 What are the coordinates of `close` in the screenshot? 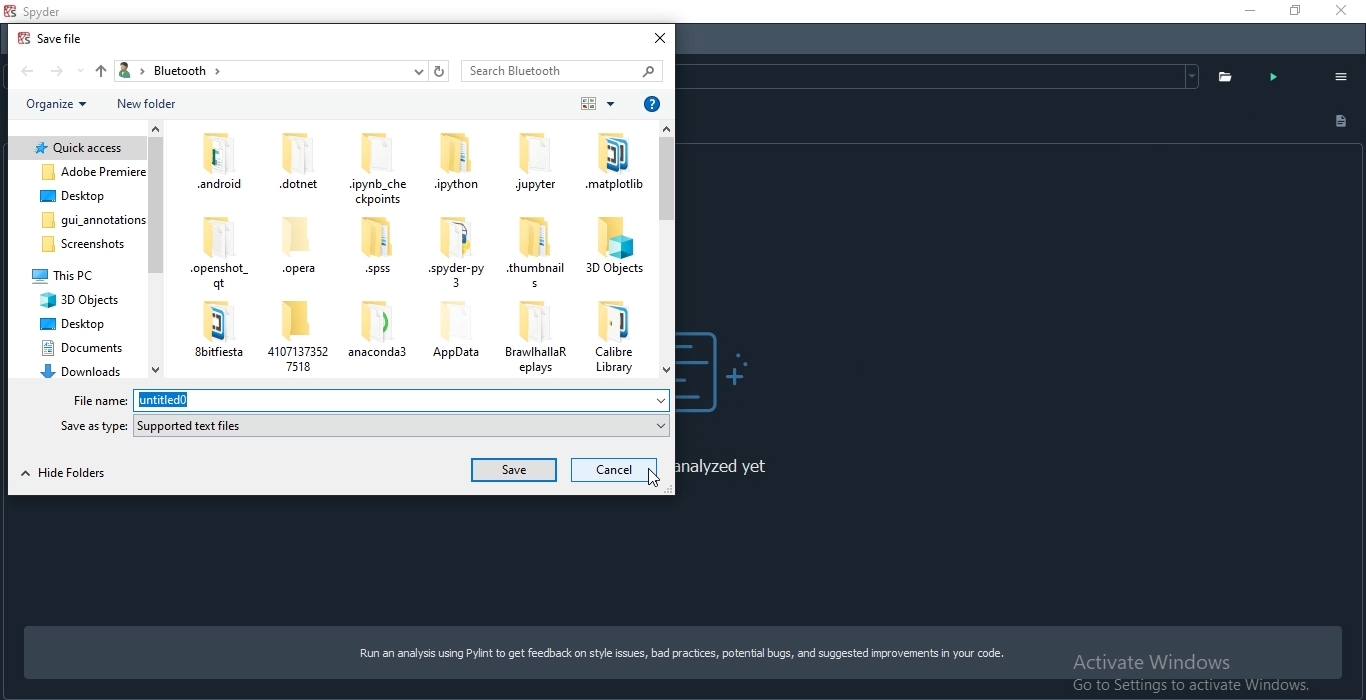 It's located at (1346, 10).